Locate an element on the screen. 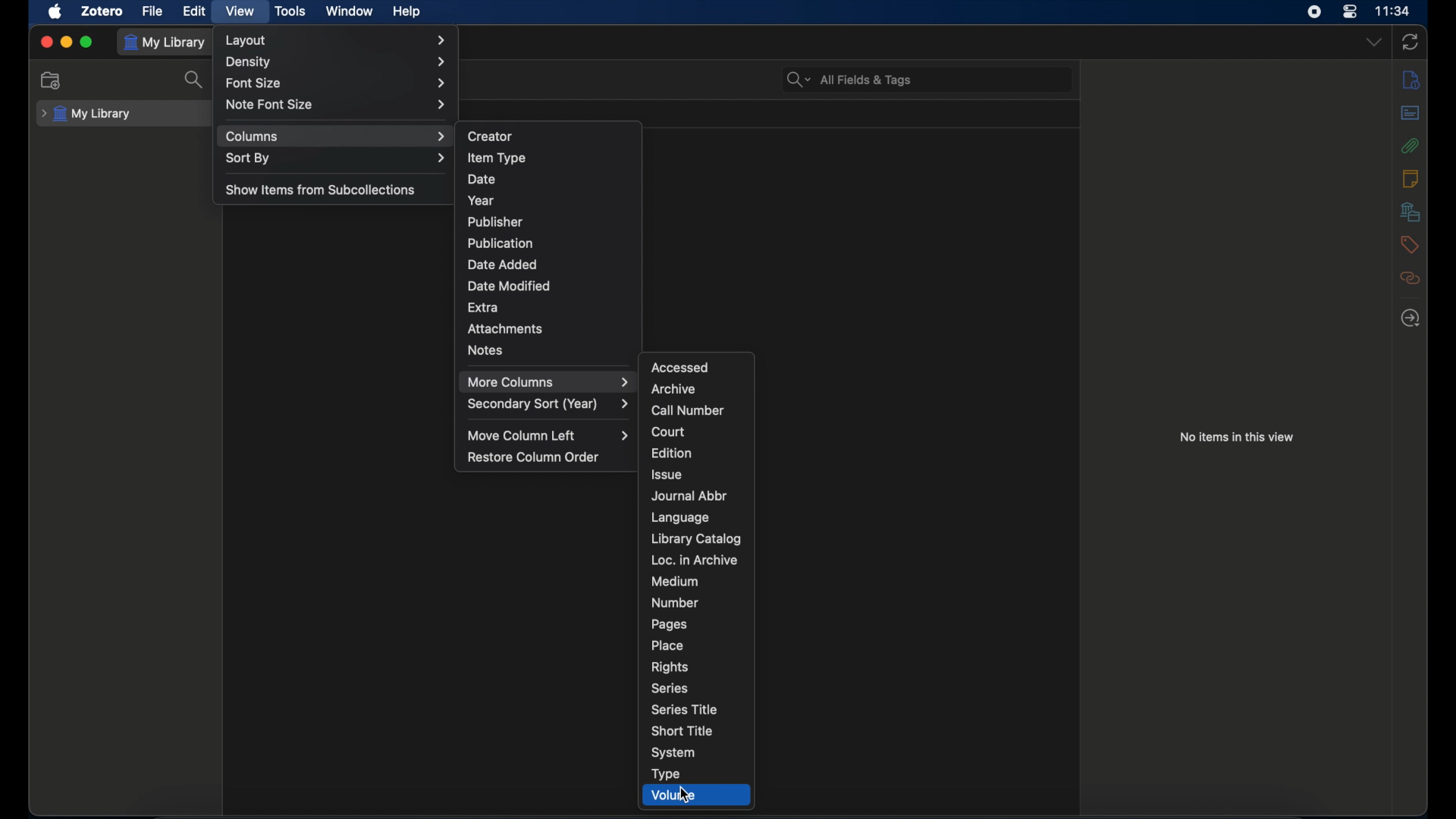 The height and width of the screenshot is (819, 1456). info is located at coordinates (1411, 80).